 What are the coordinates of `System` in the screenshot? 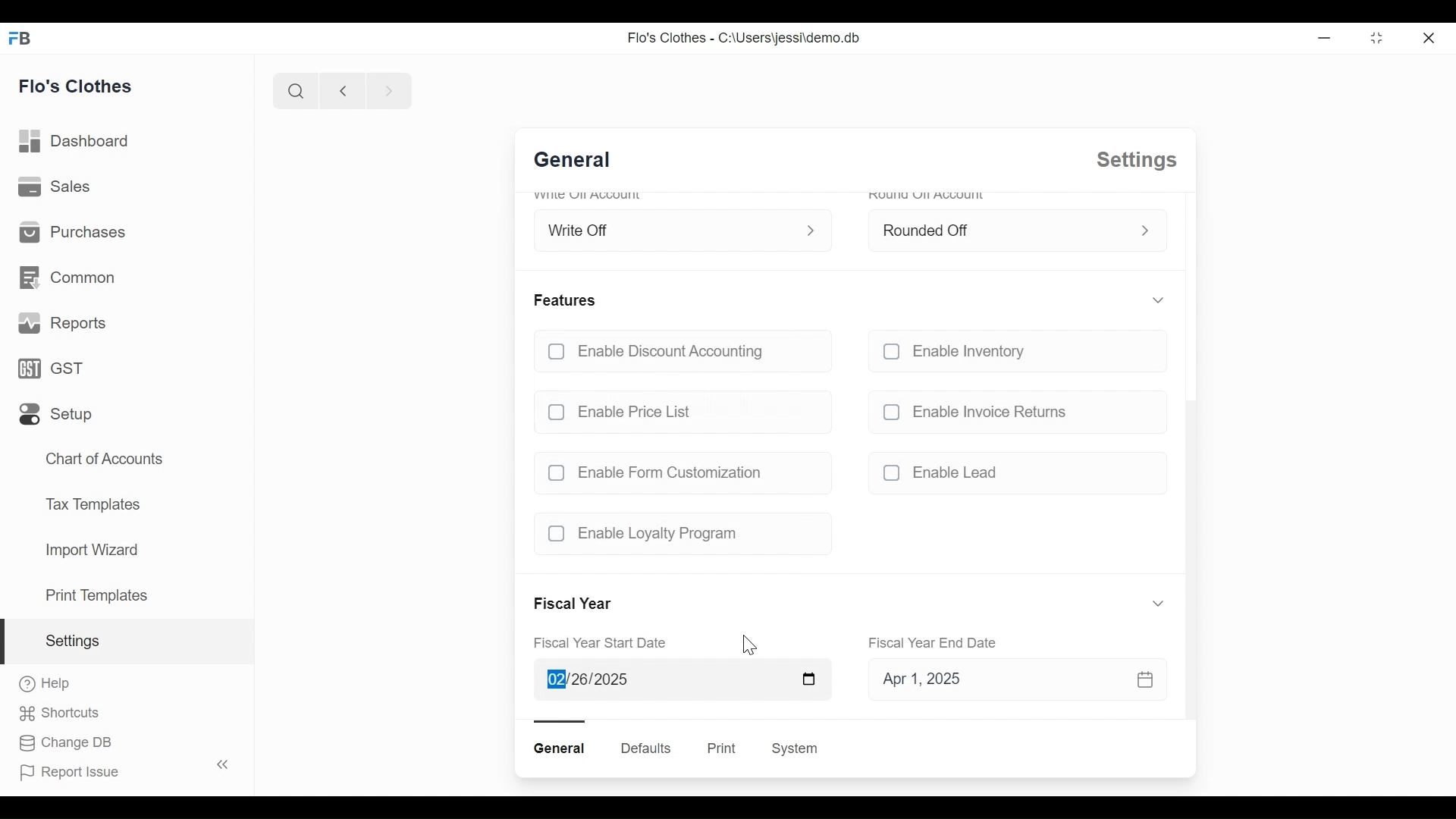 It's located at (798, 748).